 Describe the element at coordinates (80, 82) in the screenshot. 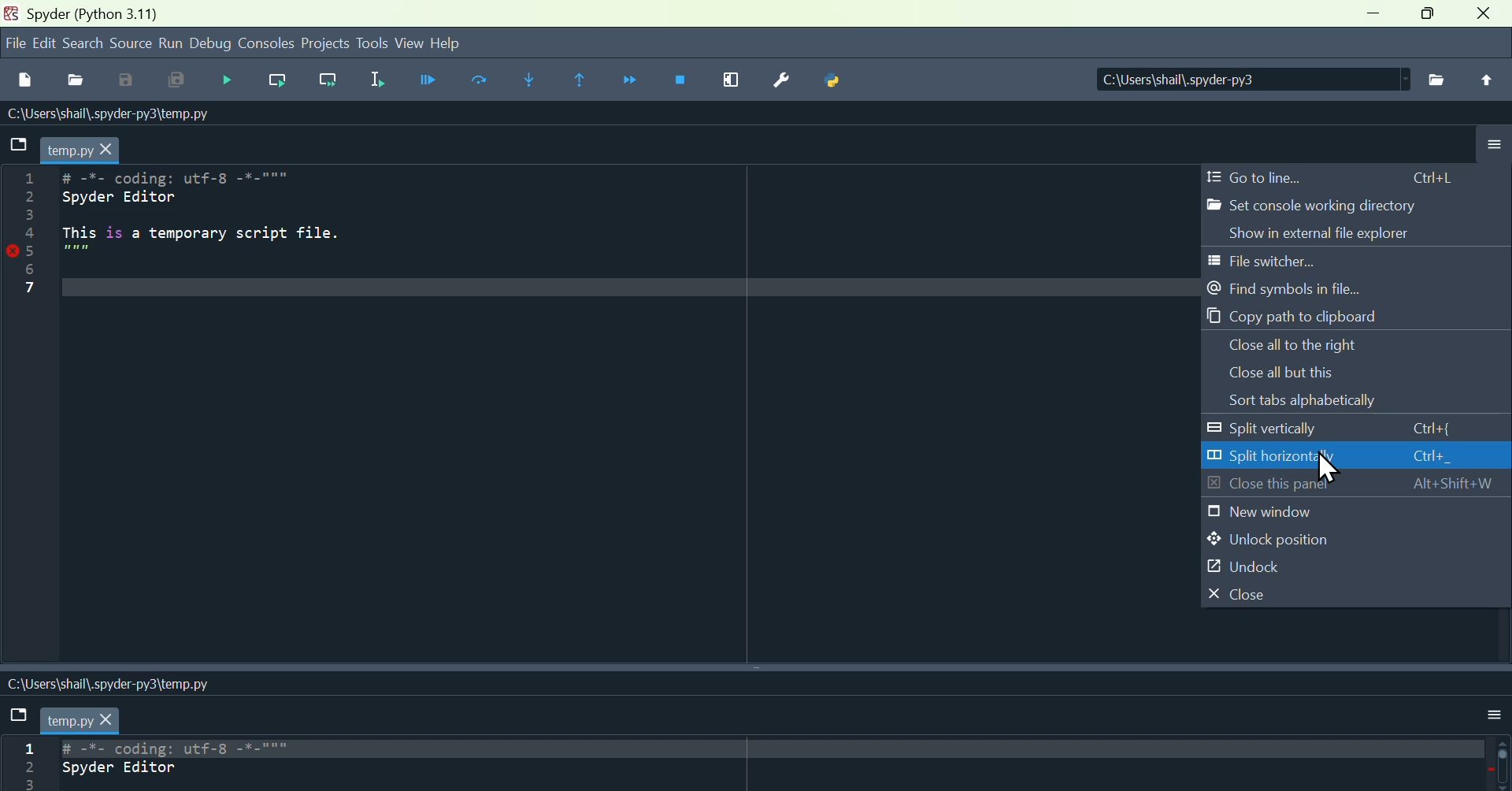

I see `open file` at that location.